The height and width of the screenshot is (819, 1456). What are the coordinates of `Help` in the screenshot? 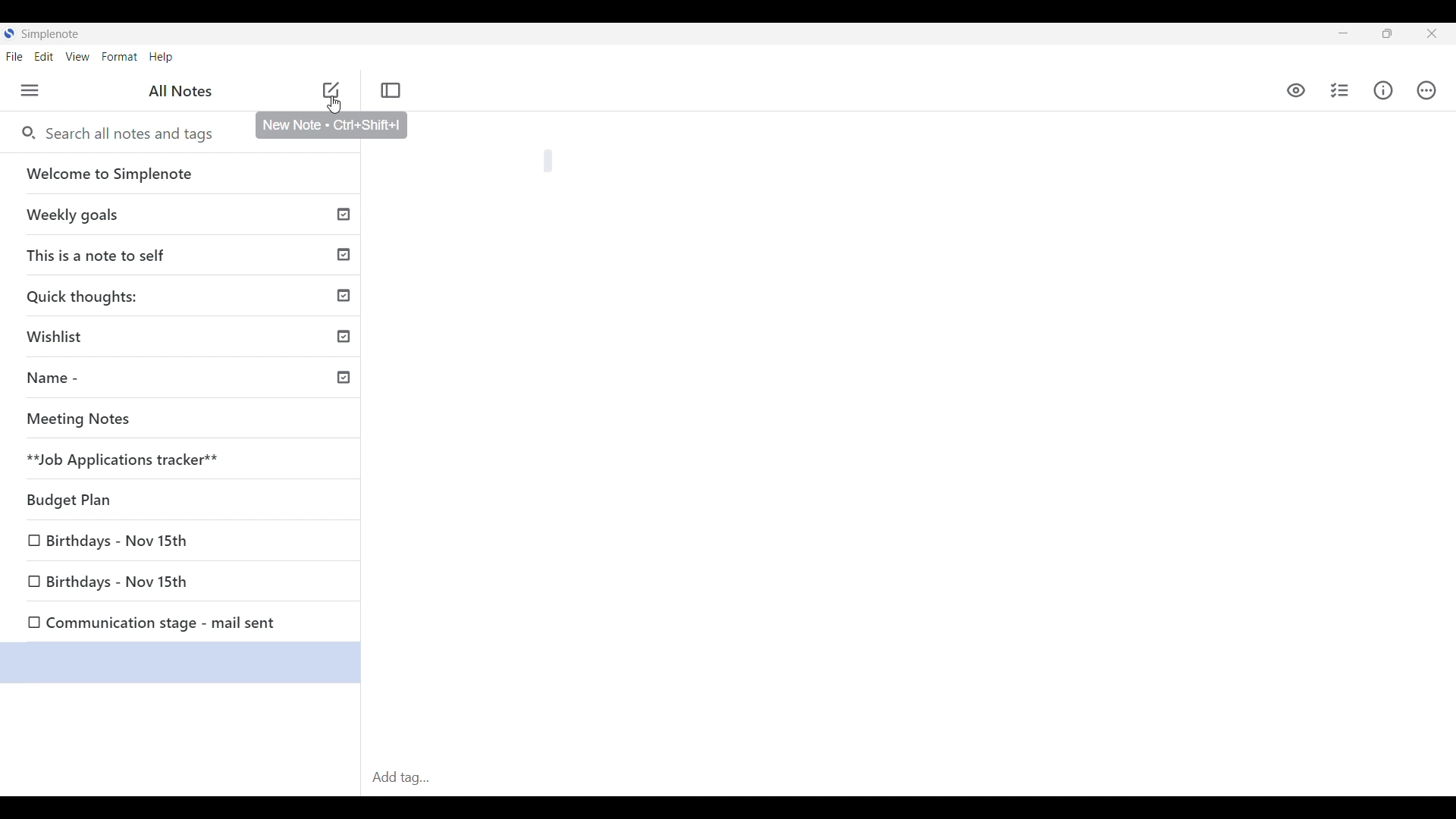 It's located at (162, 58).